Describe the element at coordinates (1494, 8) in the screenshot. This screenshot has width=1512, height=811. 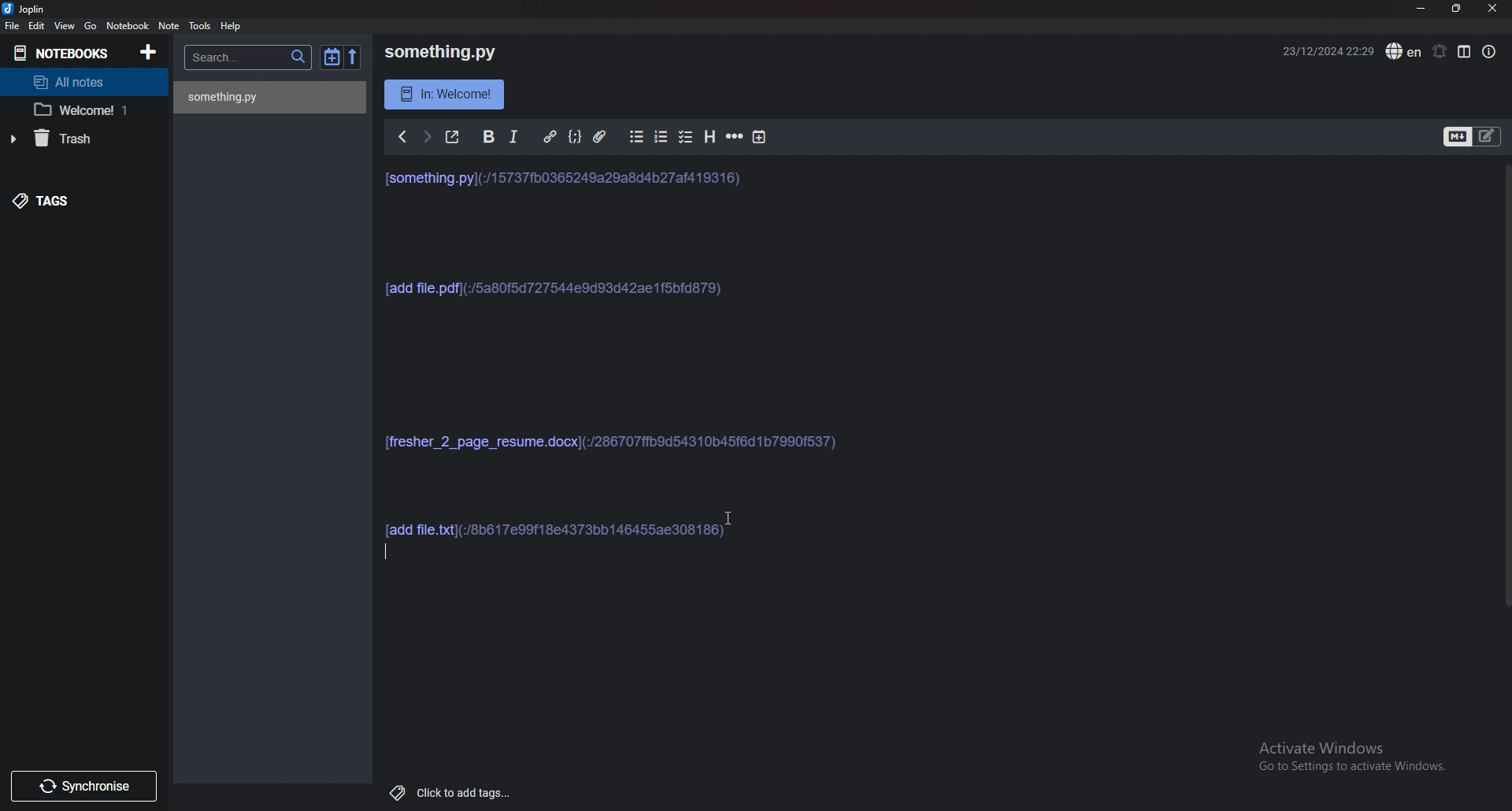
I see `close` at that location.